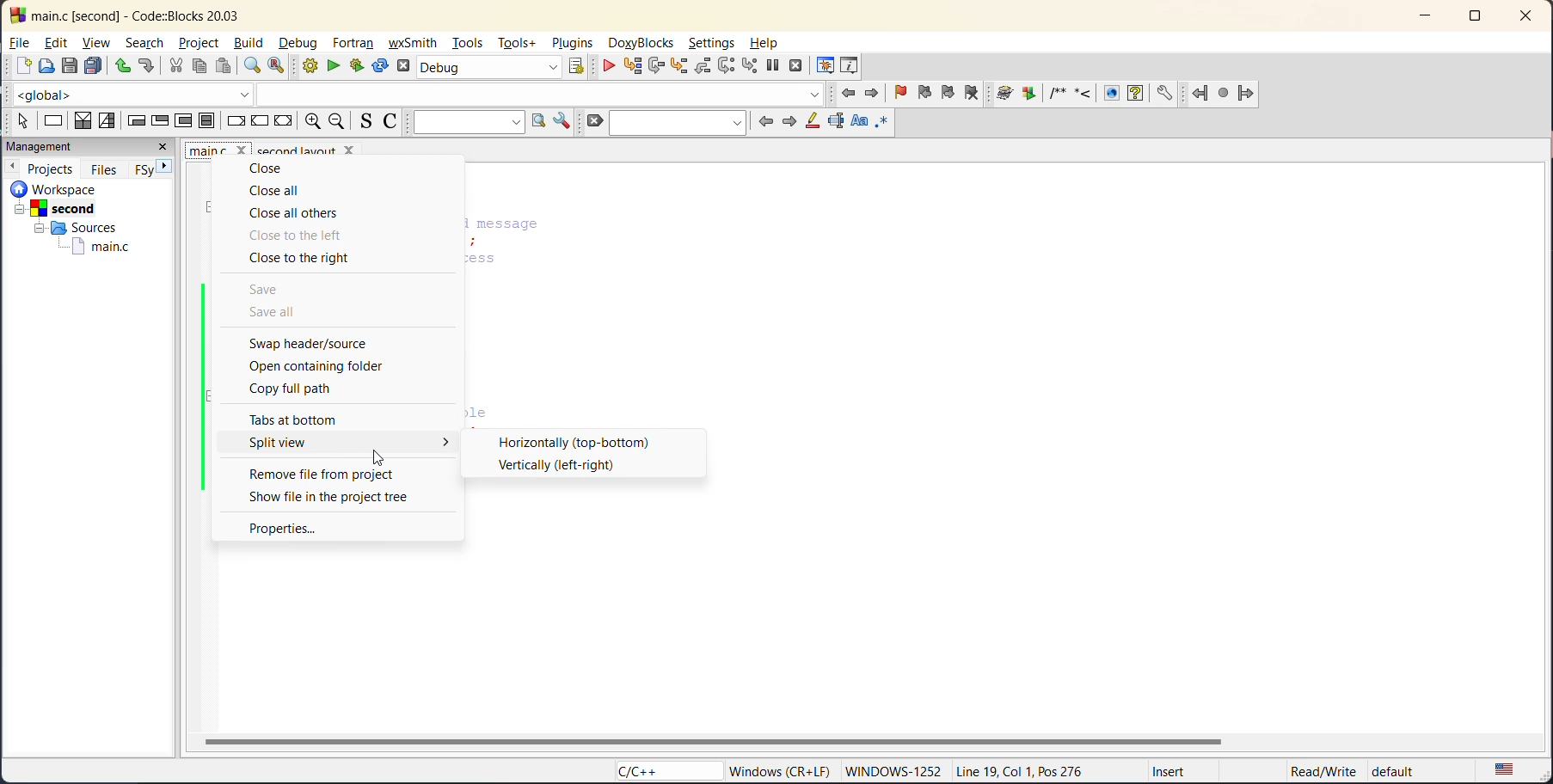  Describe the element at coordinates (164, 149) in the screenshot. I see `close` at that location.